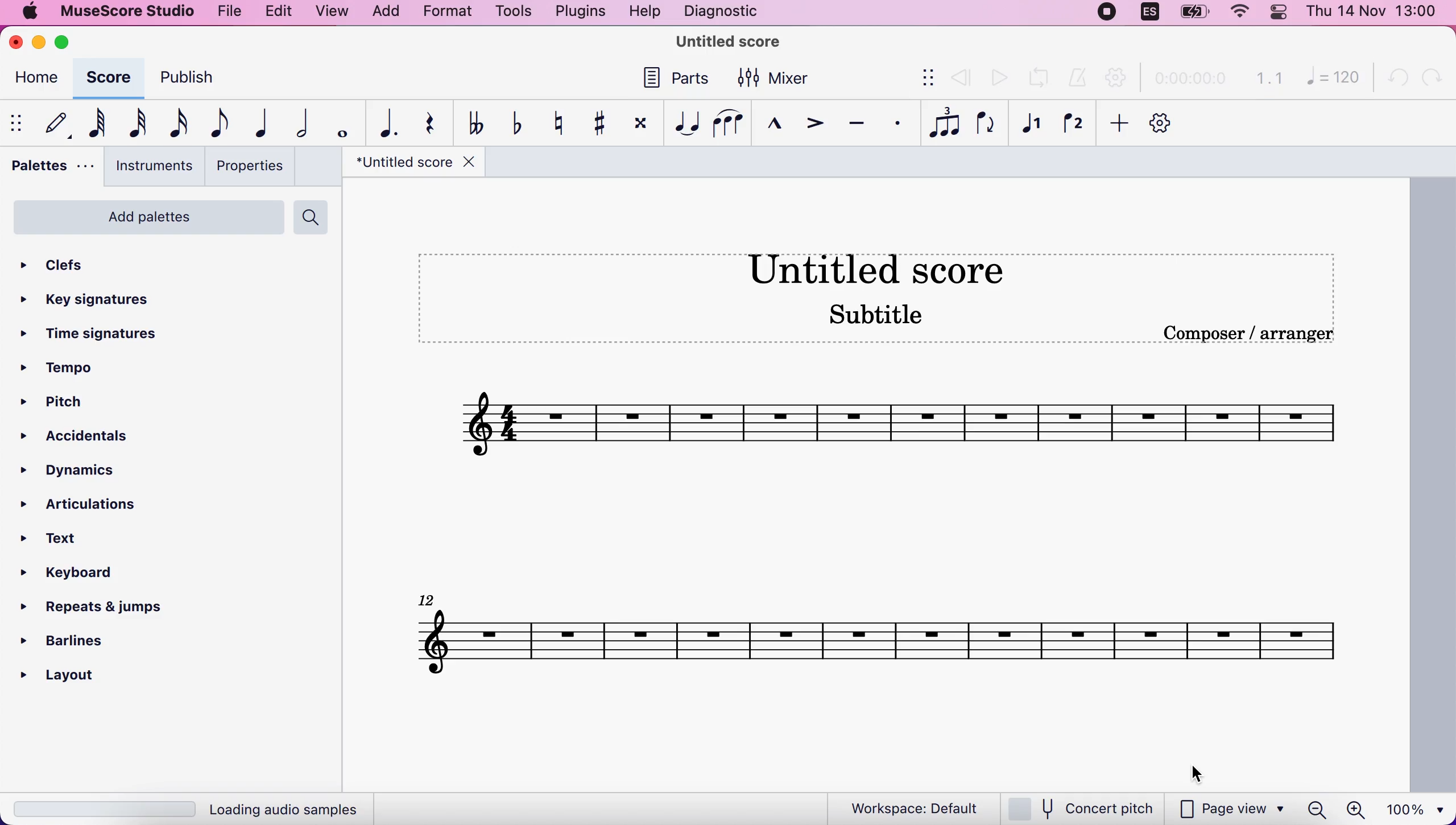  What do you see at coordinates (297, 125) in the screenshot?
I see `half note` at bounding box center [297, 125].